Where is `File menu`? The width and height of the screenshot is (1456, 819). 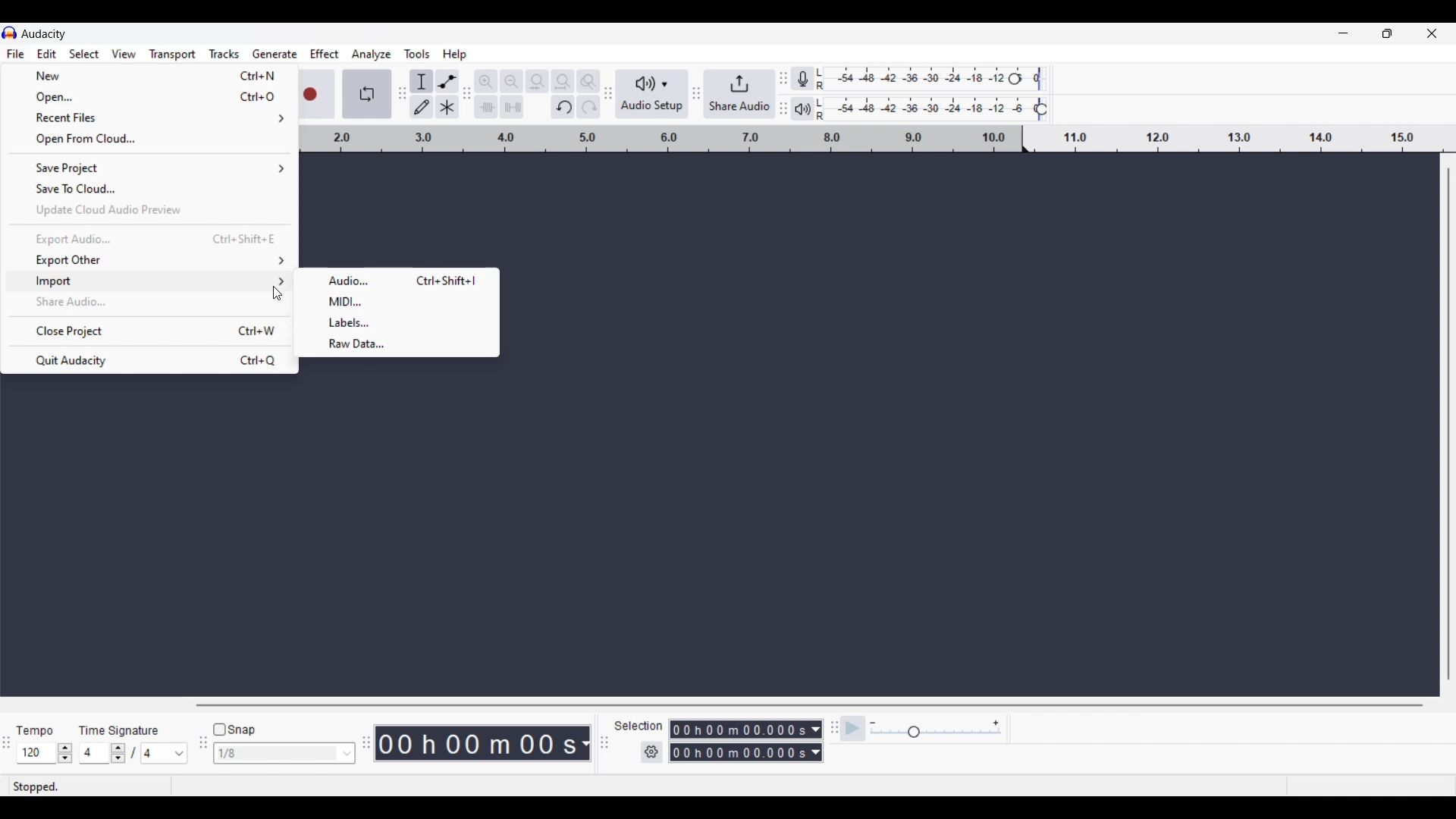
File menu is located at coordinates (16, 54).